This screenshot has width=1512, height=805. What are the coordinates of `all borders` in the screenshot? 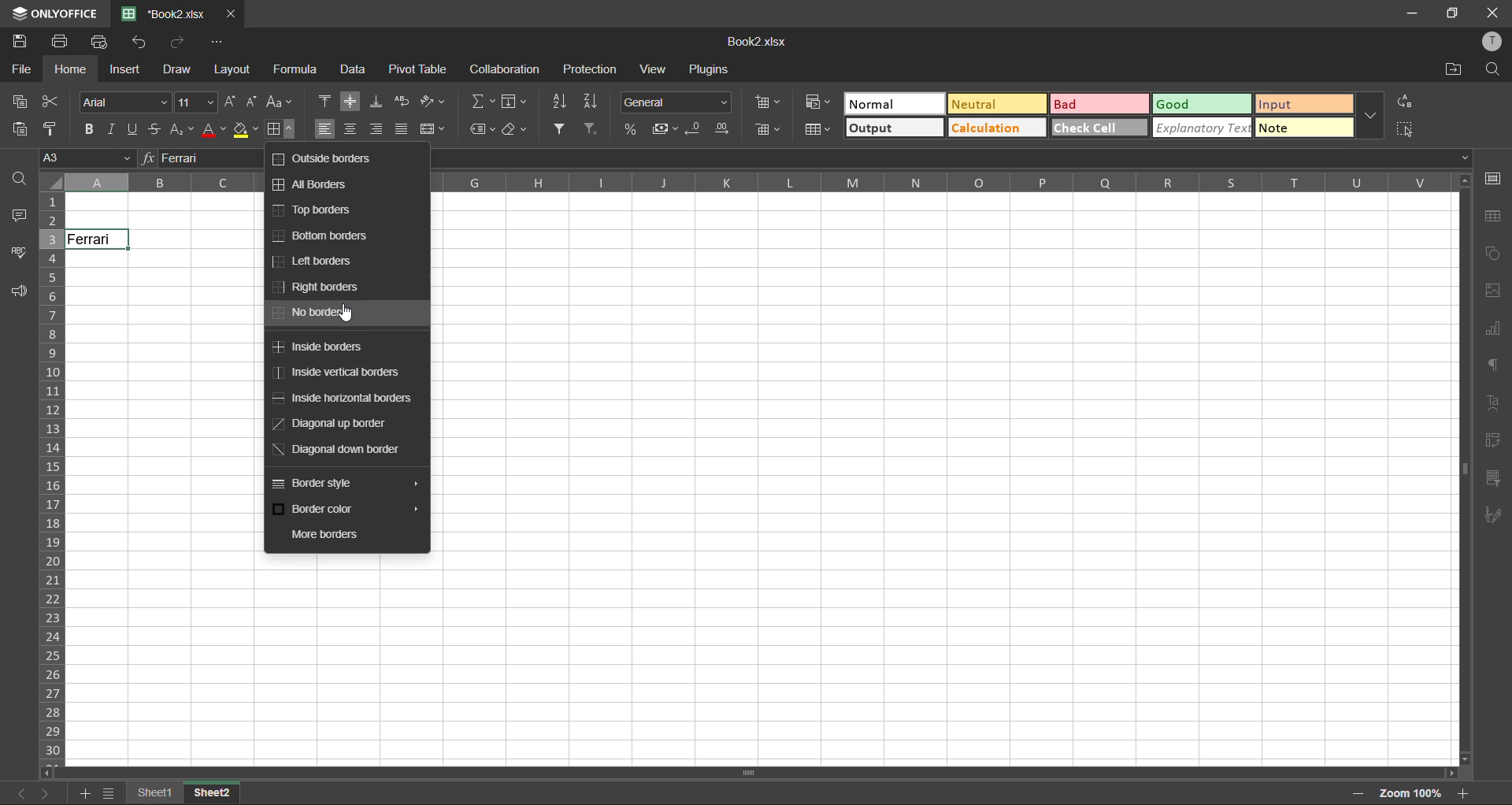 It's located at (311, 184).